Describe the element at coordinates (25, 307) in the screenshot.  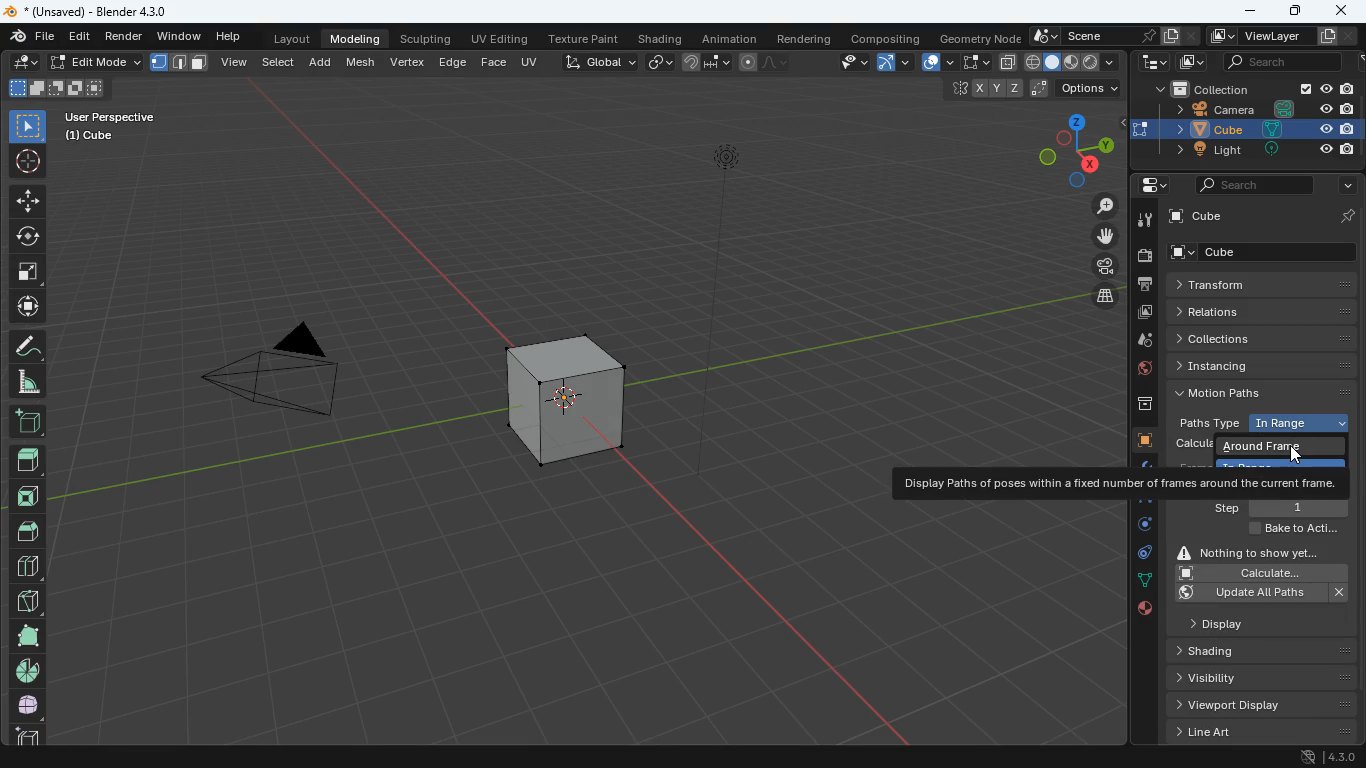
I see `move` at that location.